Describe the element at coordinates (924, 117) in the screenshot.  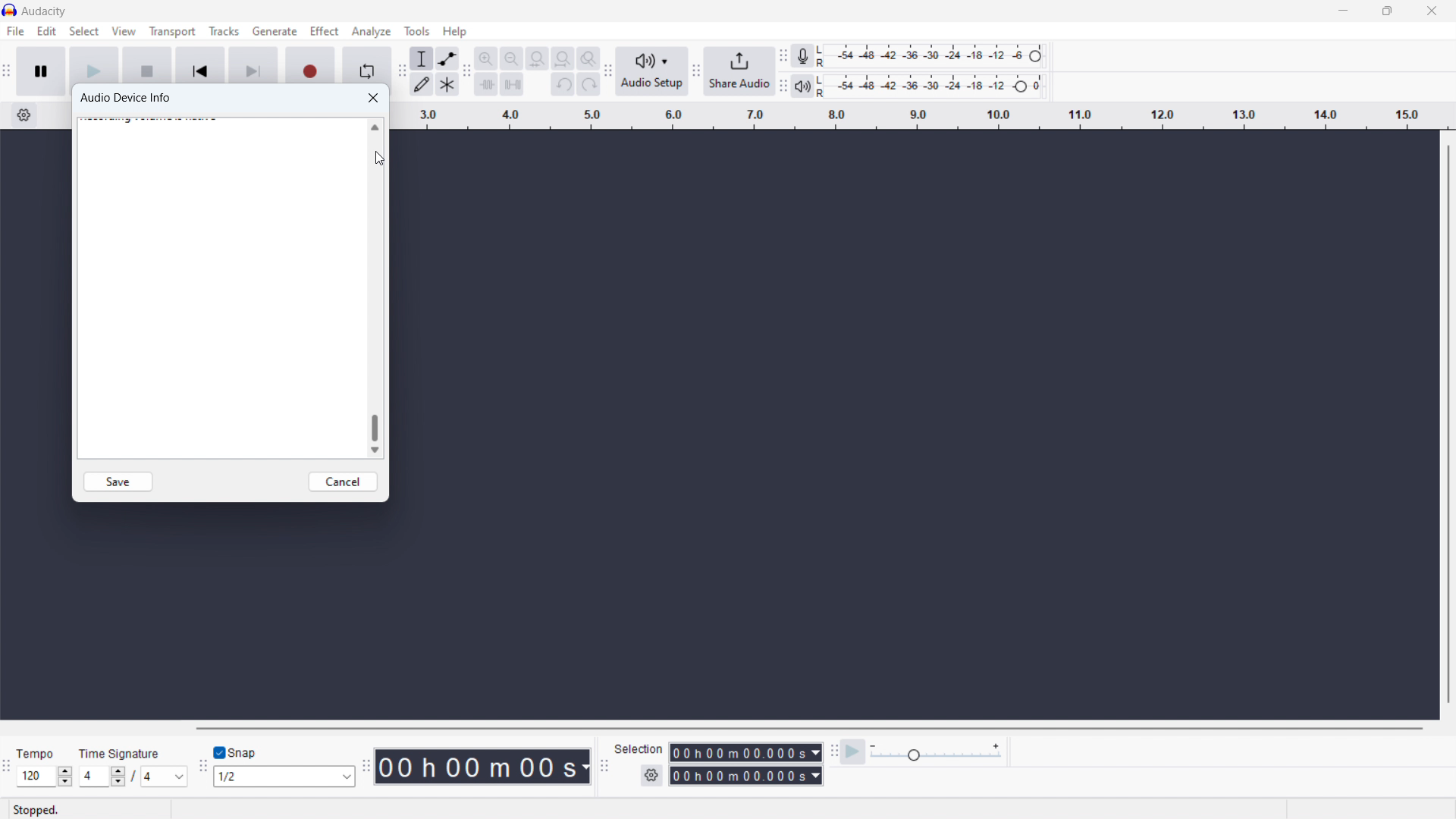
I see `timeline` at that location.